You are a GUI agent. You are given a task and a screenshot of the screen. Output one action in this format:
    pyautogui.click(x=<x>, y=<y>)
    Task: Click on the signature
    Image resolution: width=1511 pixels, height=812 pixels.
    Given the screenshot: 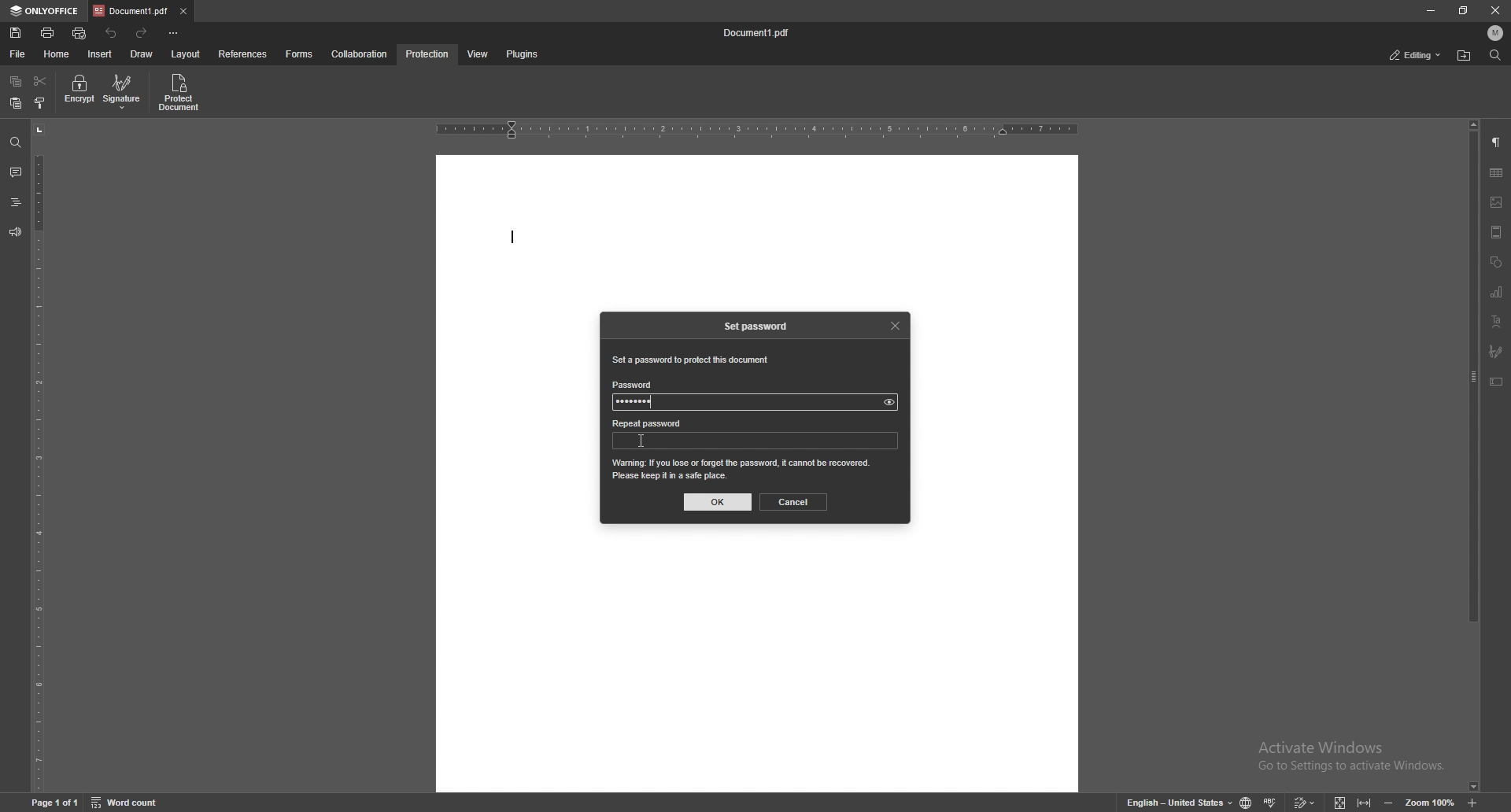 What is the action you would take?
    pyautogui.click(x=128, y=91)
    